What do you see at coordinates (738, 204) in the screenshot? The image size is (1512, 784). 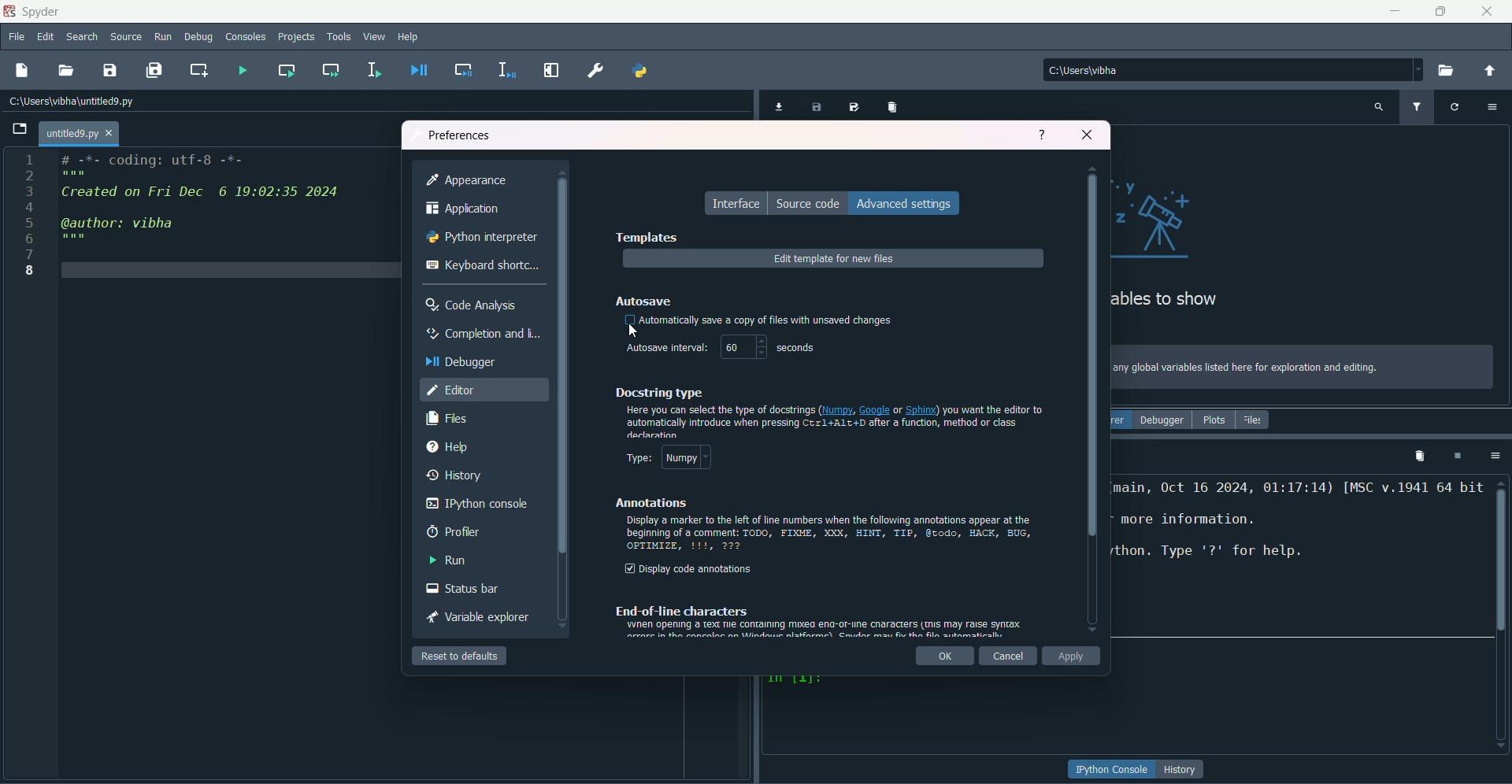 I see `interface` at bounding box center [738, 204].